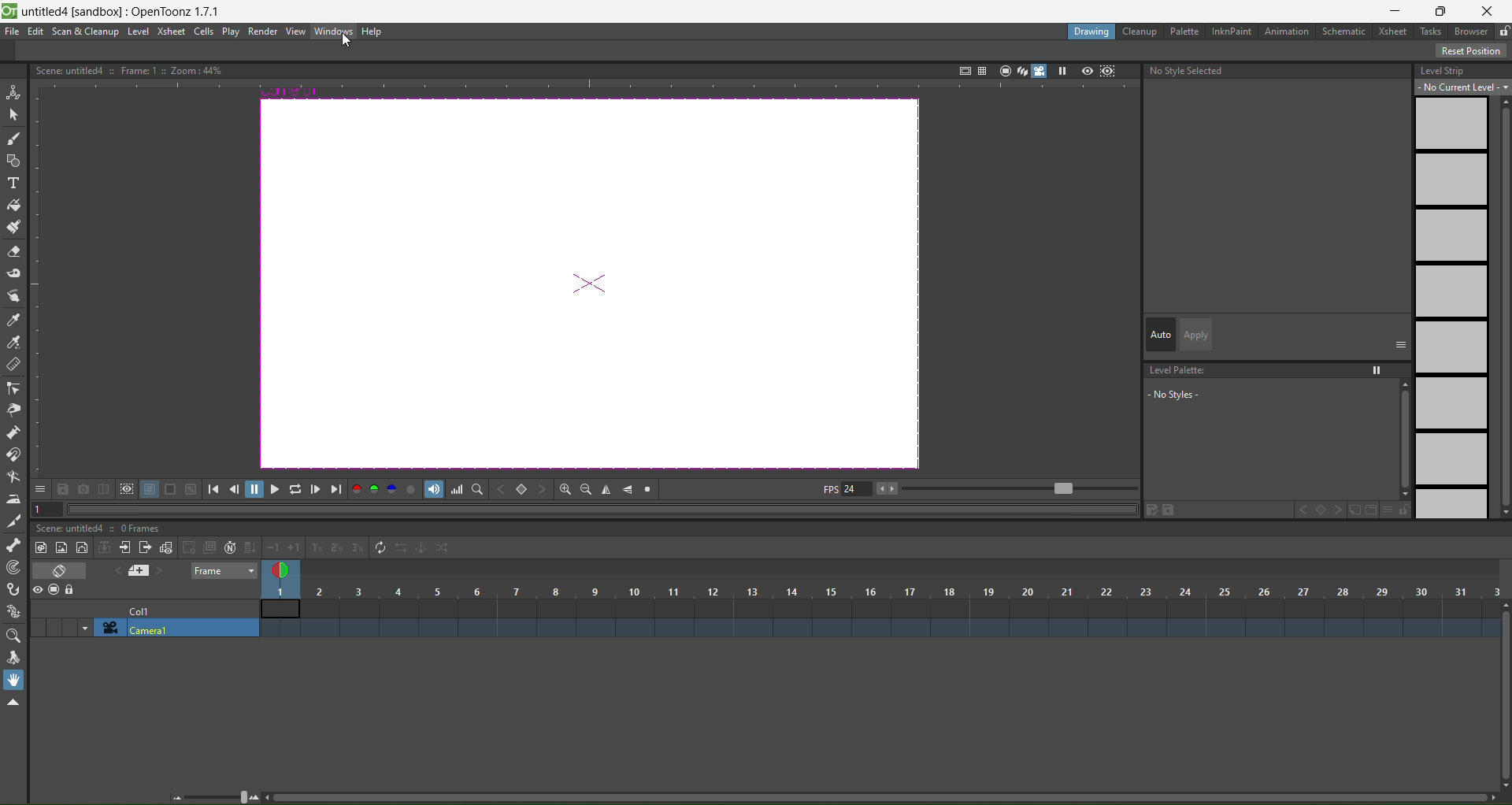  Describe the element at coordinates (13, 91) in the screenshot. I see `animation tool` at that location.